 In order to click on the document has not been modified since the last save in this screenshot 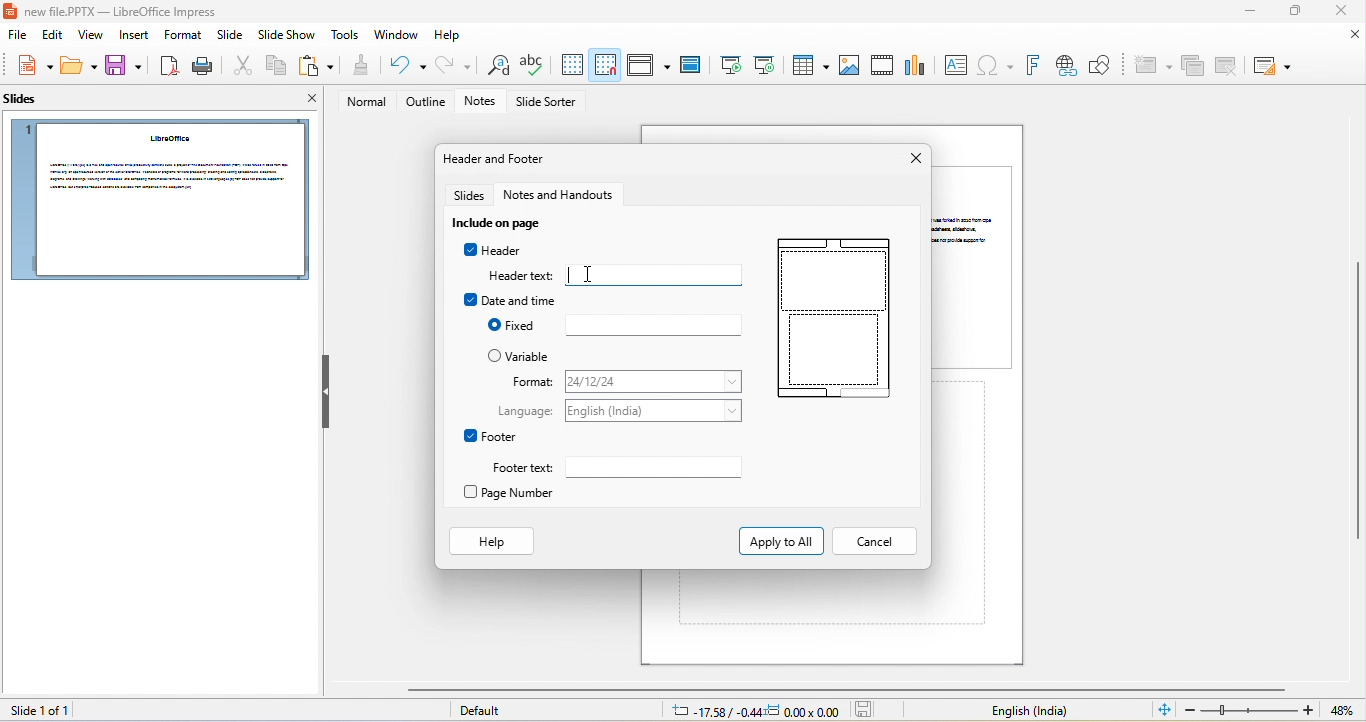, I will do `click(869, 710)`.